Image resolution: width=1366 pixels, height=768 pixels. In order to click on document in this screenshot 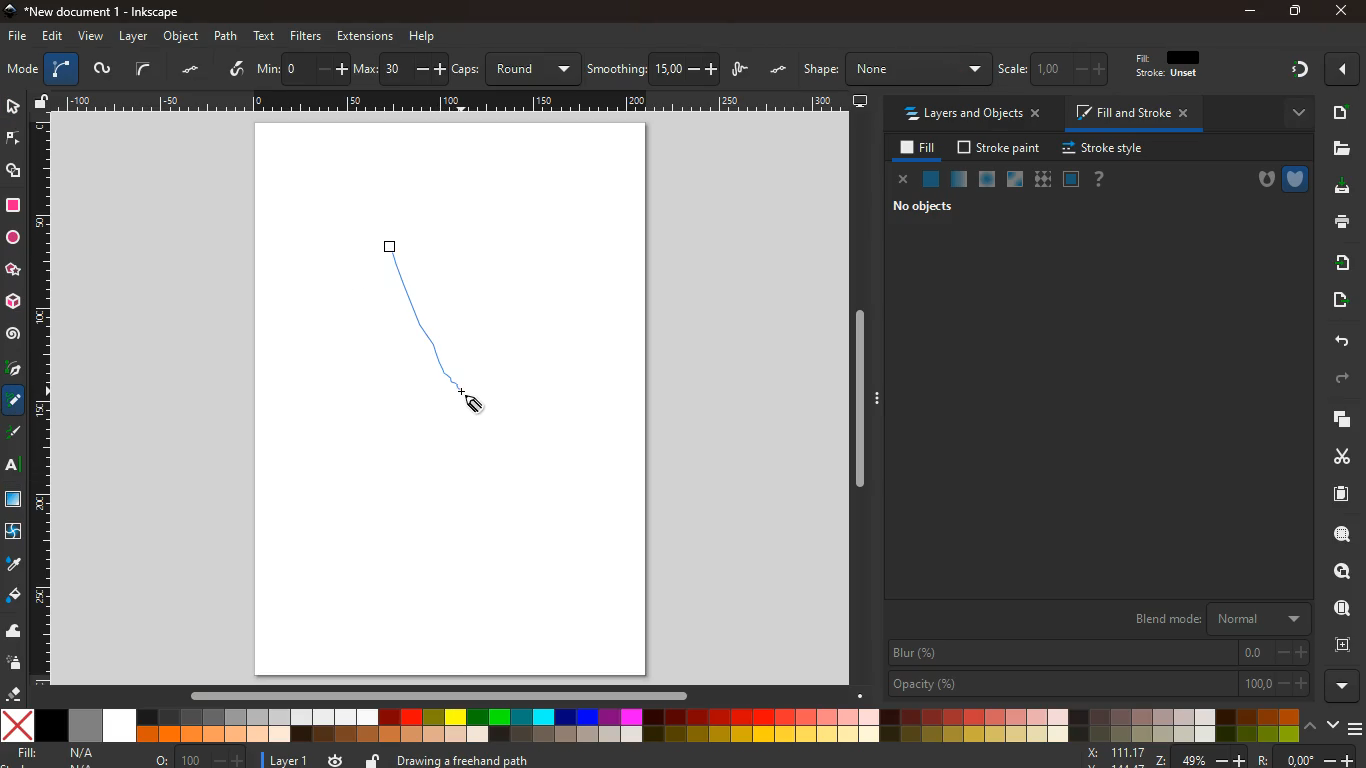, I will do `click(1343, 493)`.